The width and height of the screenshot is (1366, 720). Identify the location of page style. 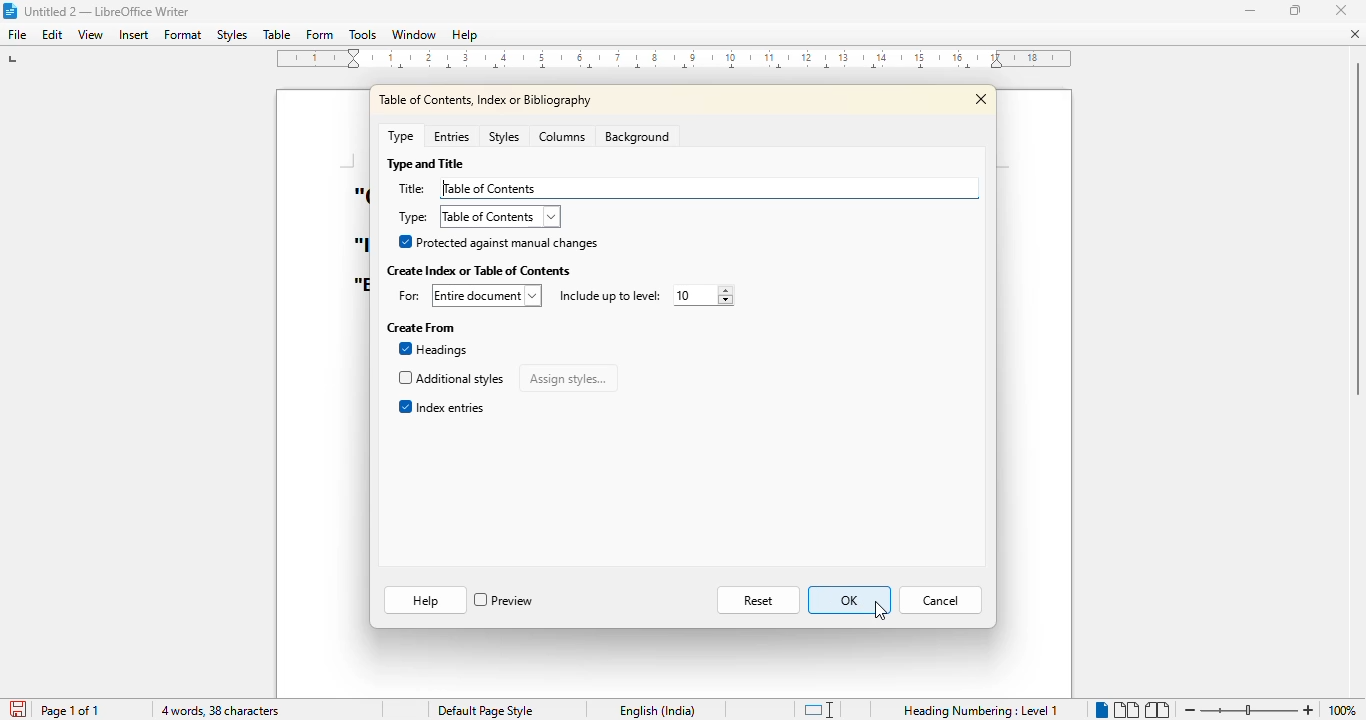
(484, 711).